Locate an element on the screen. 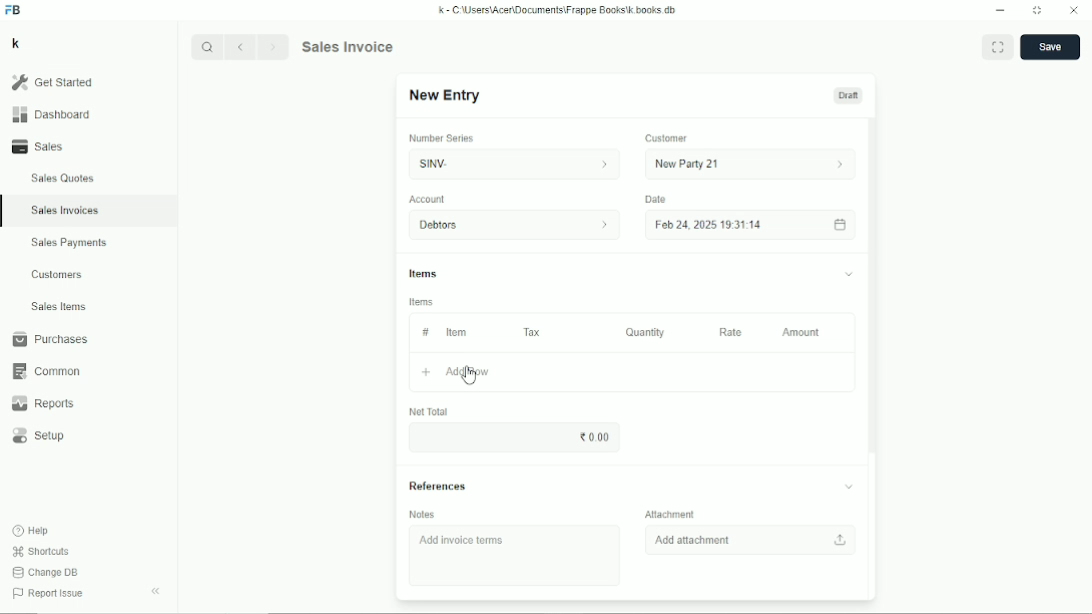 The image size is (1092, 614). Help is located at coordinates (32, 530).